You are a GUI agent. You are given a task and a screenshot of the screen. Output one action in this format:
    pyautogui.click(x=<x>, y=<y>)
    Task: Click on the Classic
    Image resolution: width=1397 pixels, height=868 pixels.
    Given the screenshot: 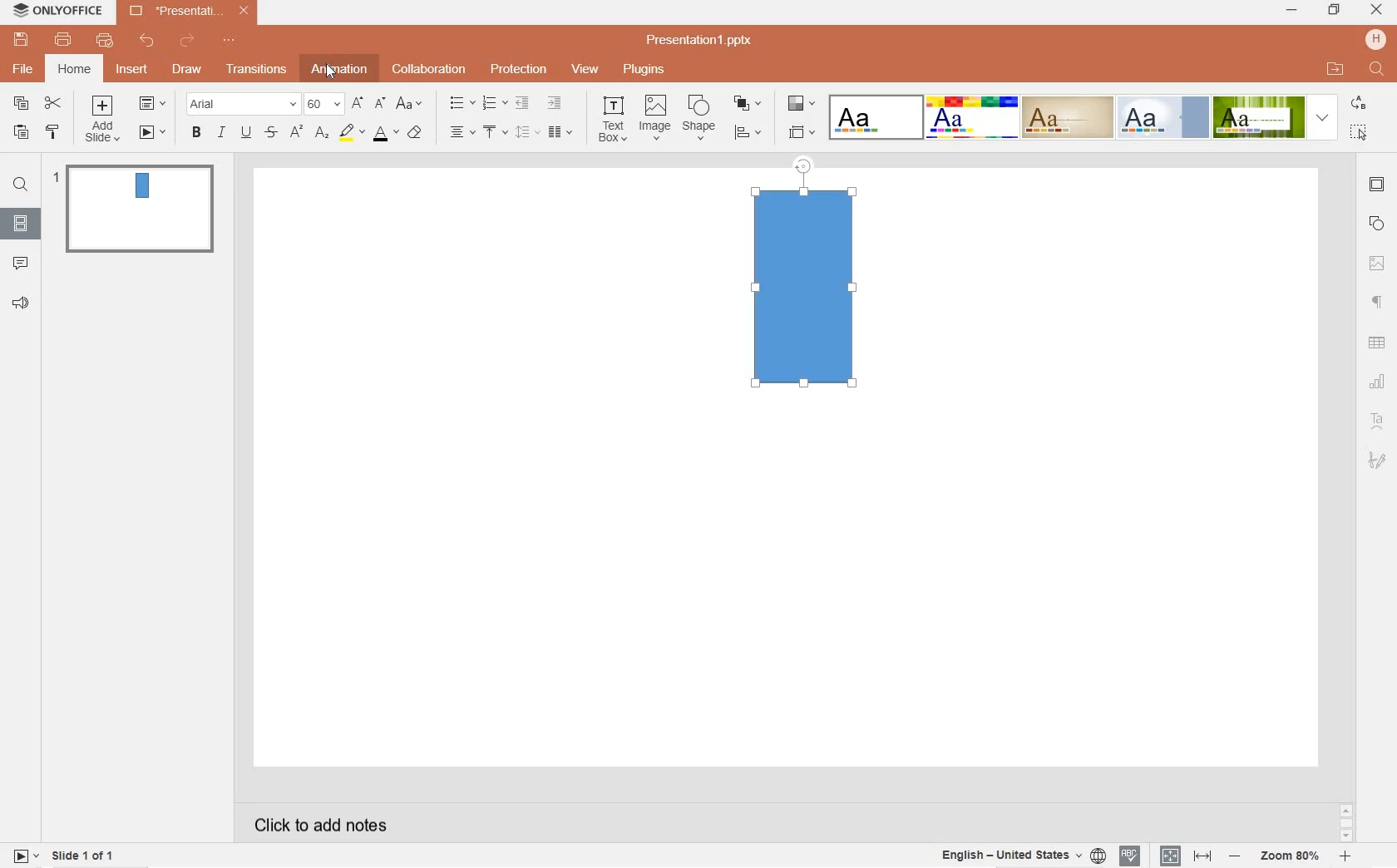 What is the action you would take?
    pyautogui.click(x=1067, y=117)
    